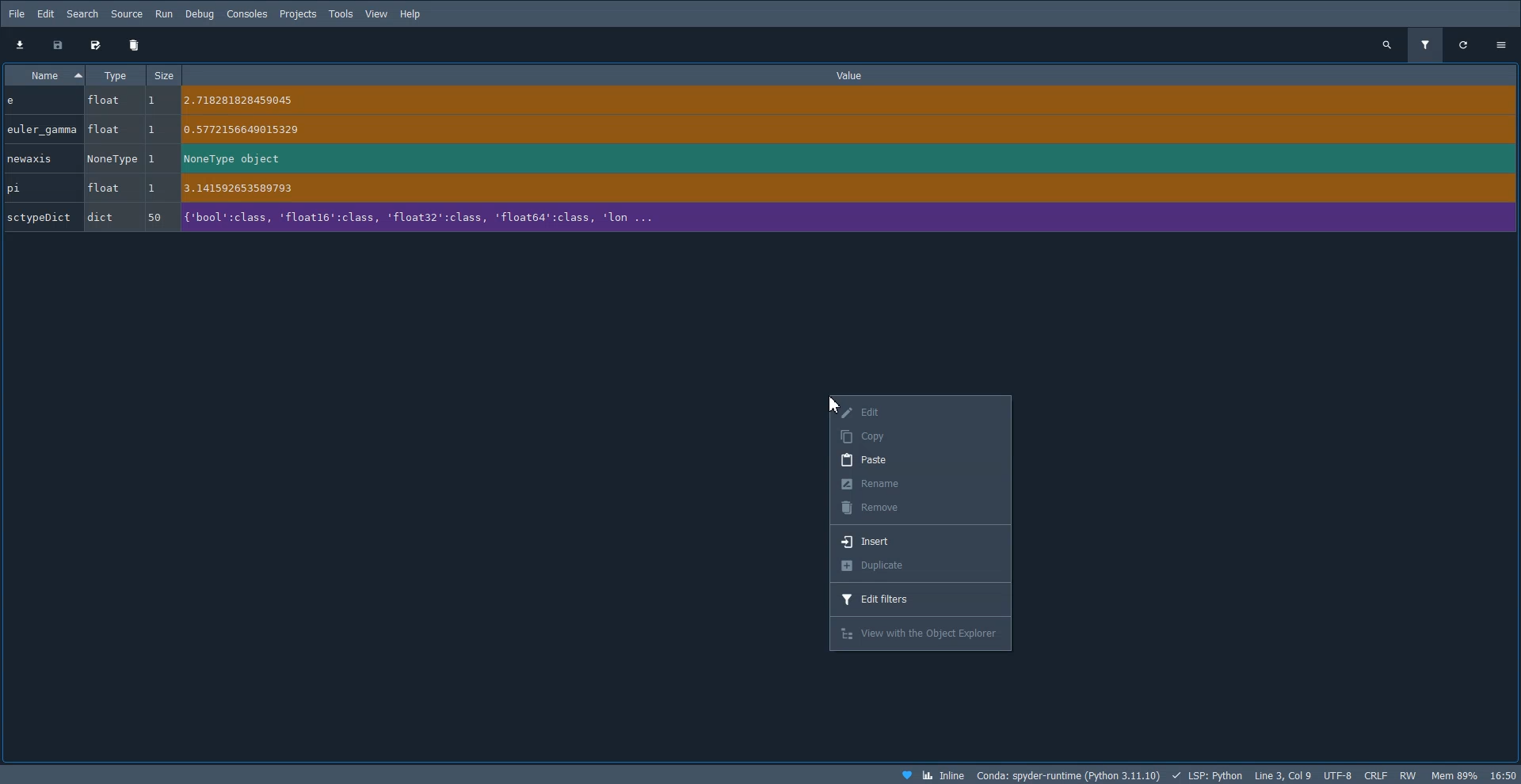  Describe the element at coordinates (40, 218) in the screenshot. I see `‘sctypeDict` at that location.